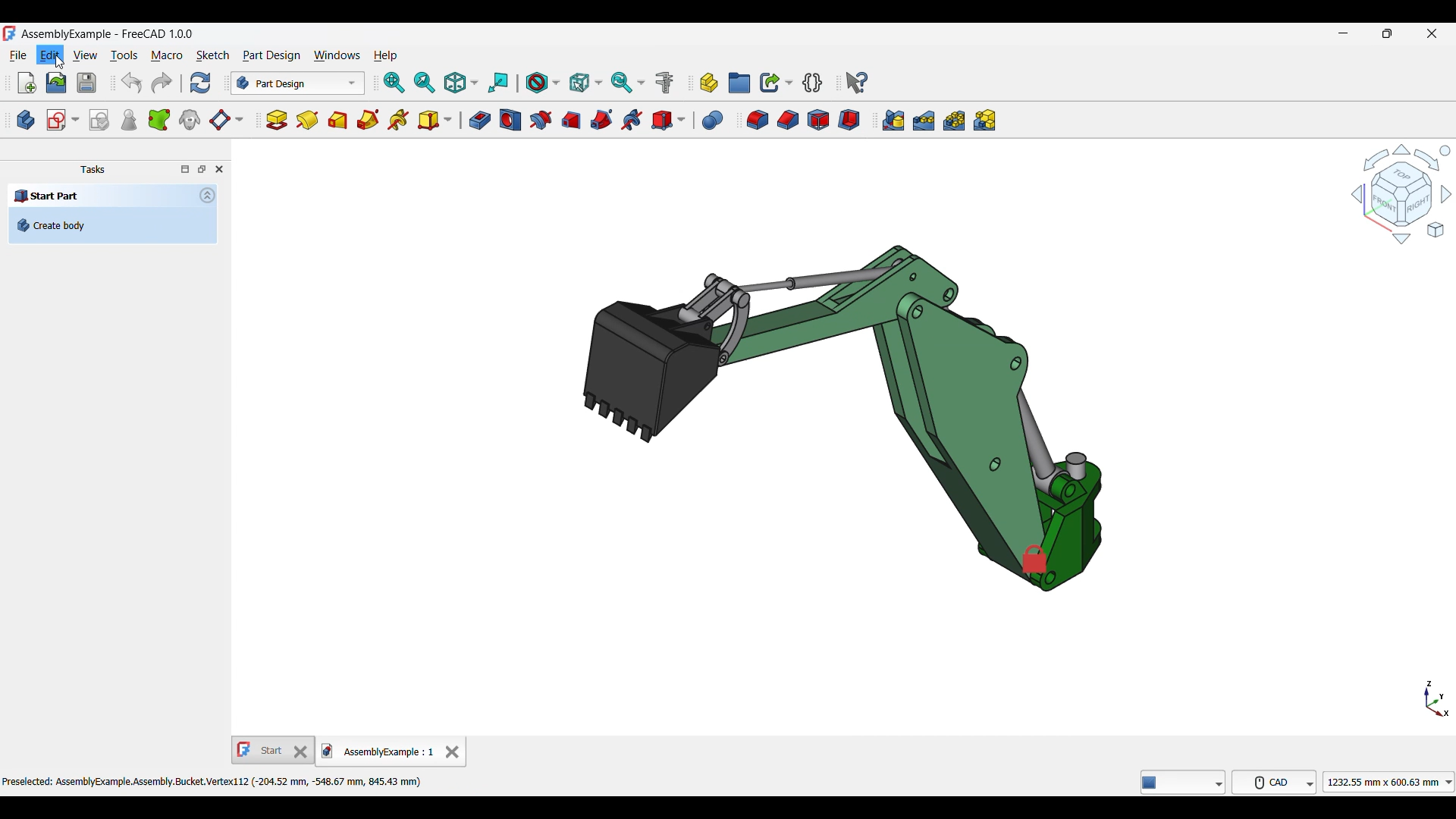  I want to click on Chamfer, so click(788, 121).